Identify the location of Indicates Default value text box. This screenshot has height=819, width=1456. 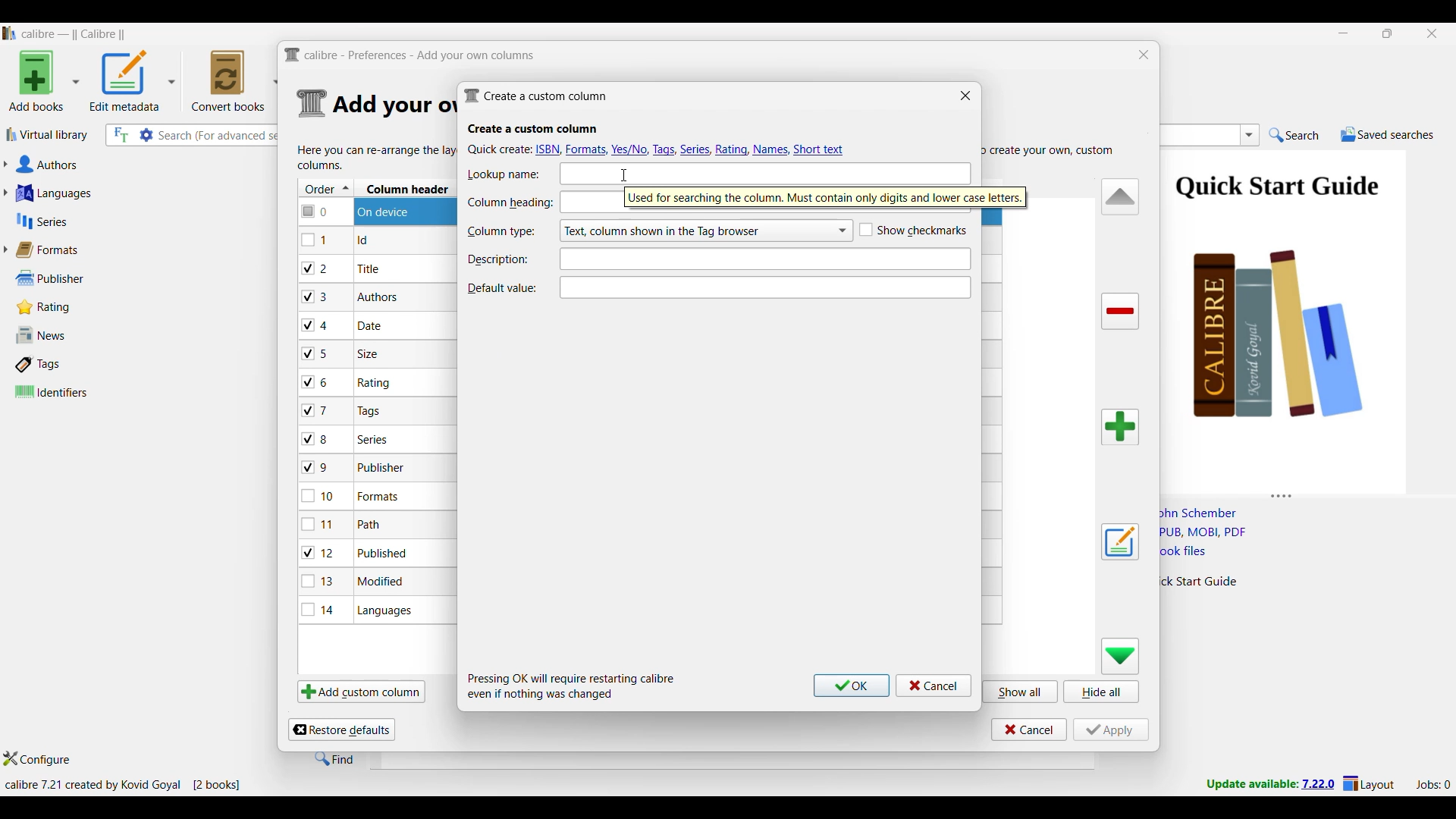
(501, 288).